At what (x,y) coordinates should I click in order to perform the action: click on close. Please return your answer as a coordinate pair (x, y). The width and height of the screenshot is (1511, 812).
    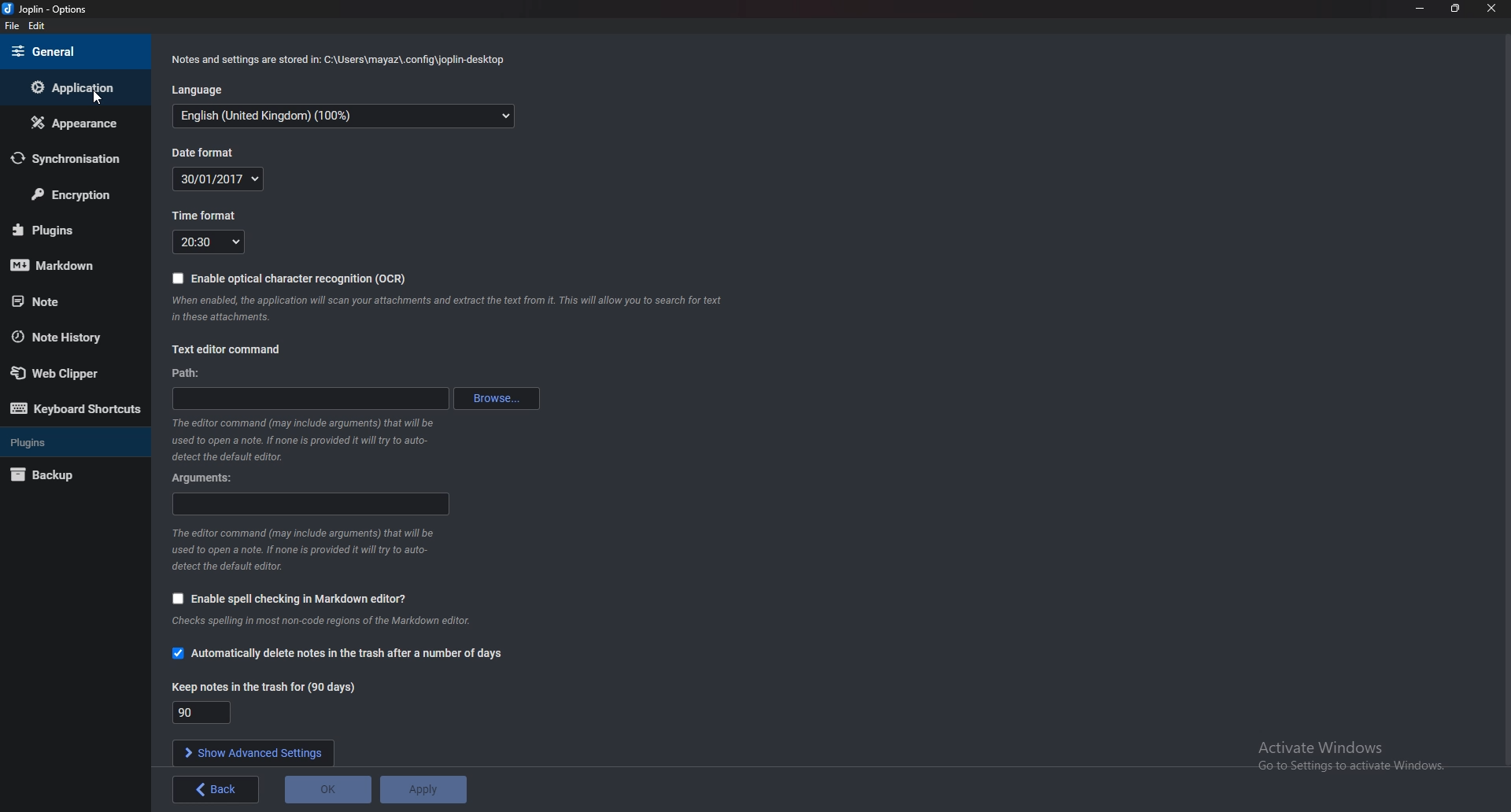
    Looking at the image, I should click on (1491, 8).